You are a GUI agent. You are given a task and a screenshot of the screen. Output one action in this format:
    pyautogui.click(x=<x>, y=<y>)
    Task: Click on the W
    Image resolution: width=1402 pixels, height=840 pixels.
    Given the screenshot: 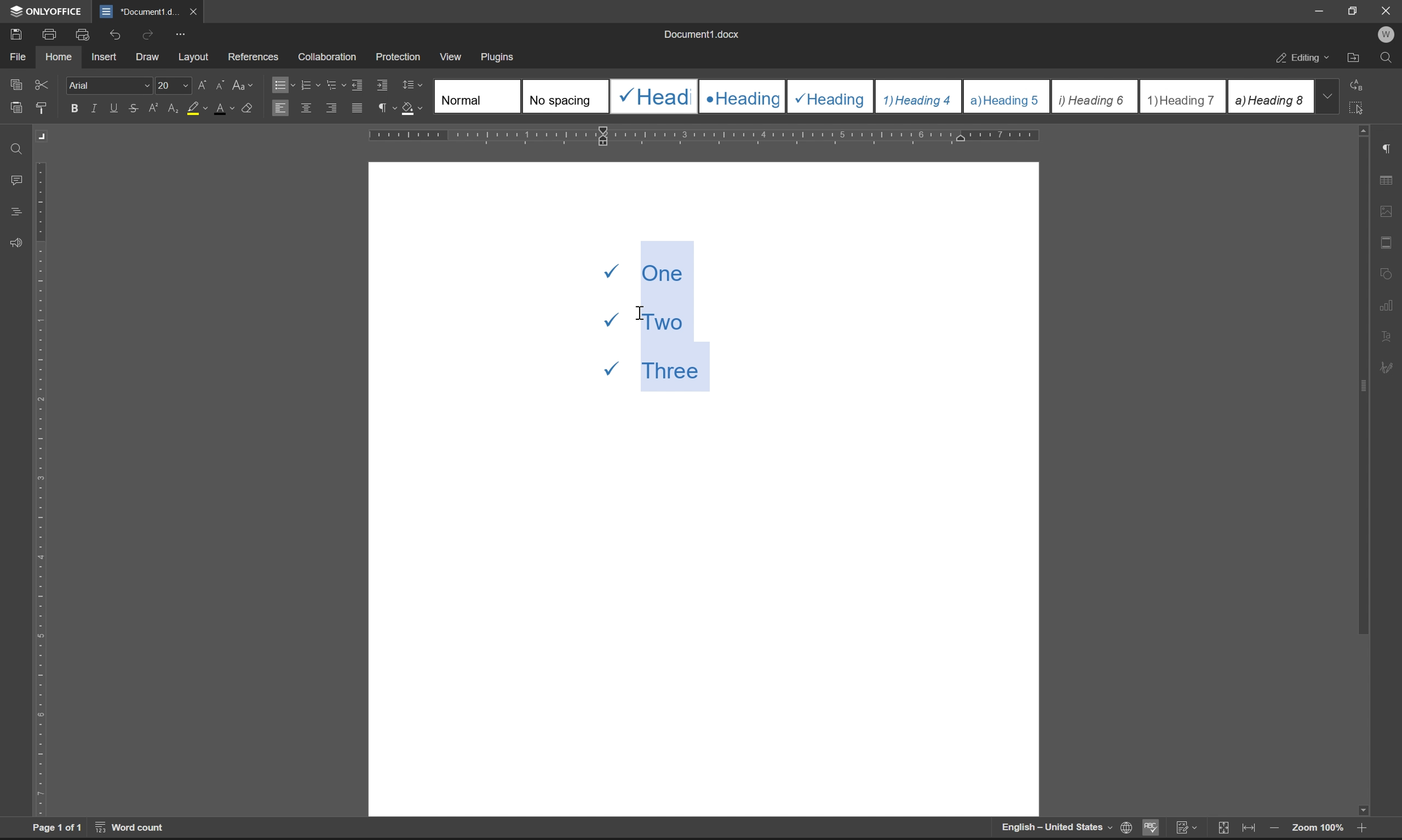 What is the action you would take?
    pyautogui.click(x=1388, y=35)
    